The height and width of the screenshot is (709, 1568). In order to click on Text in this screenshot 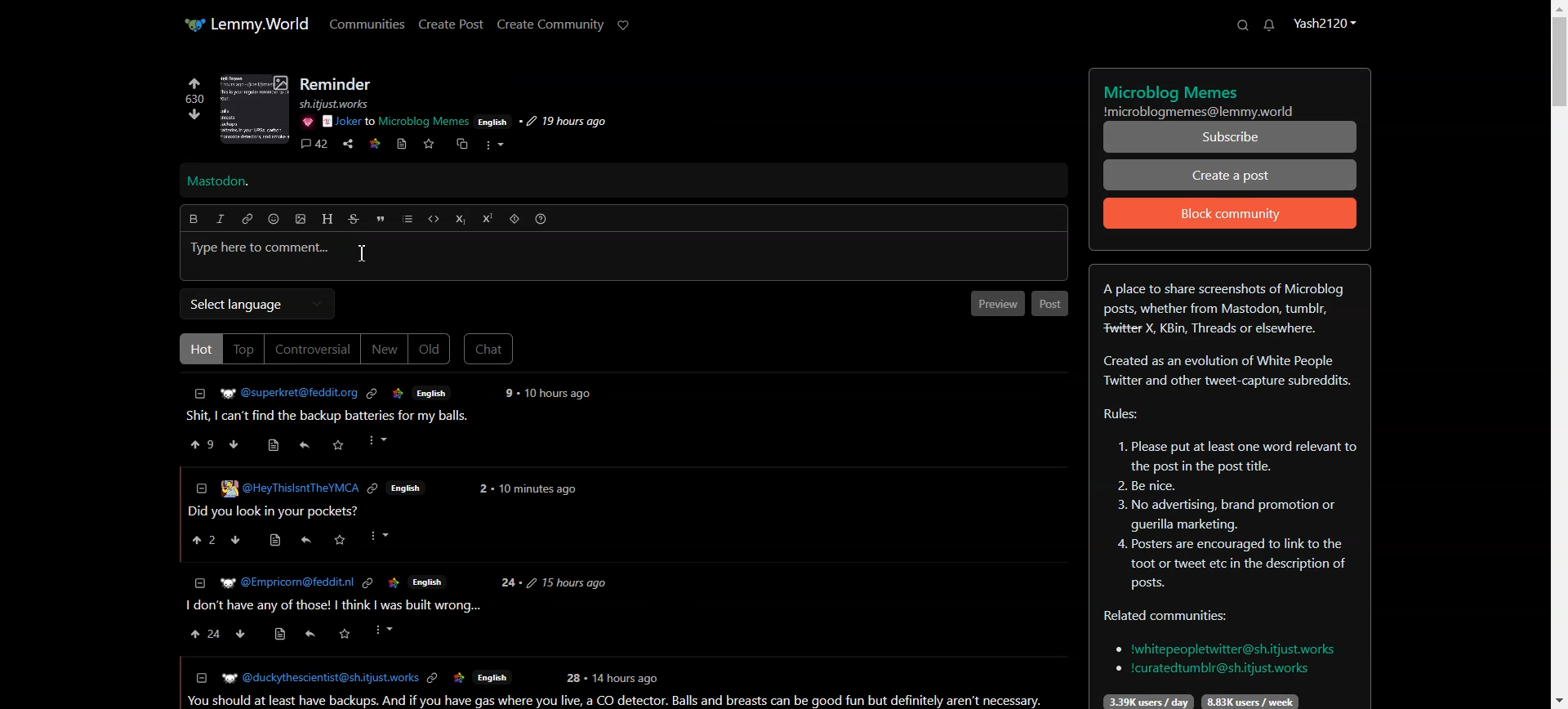, I will do `click(336, 84)`.